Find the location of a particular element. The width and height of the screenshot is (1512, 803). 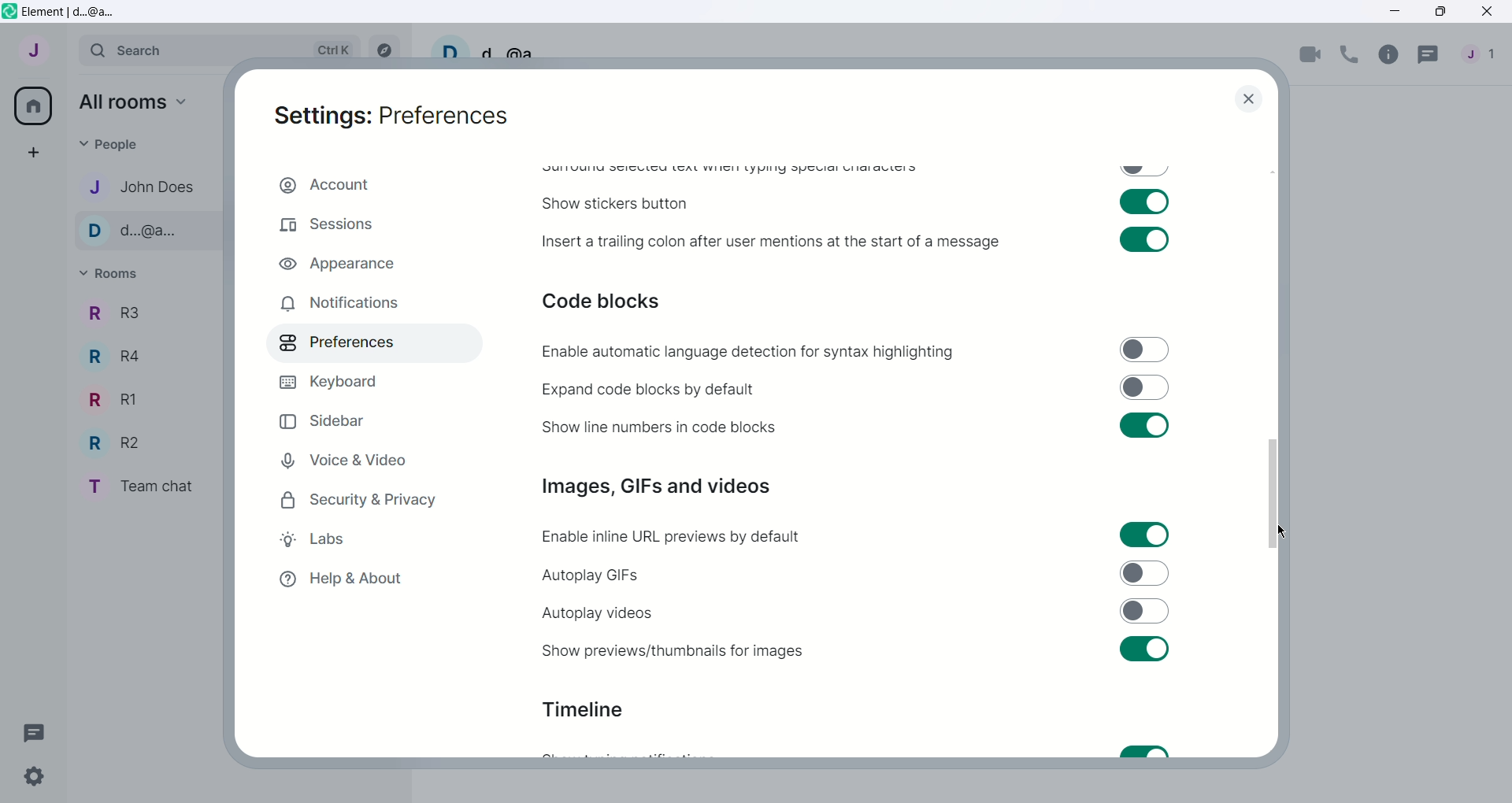

Toggle switch on for insert a trailing colon after user mentions at the start of a message is located at coordinates (1144, 239).